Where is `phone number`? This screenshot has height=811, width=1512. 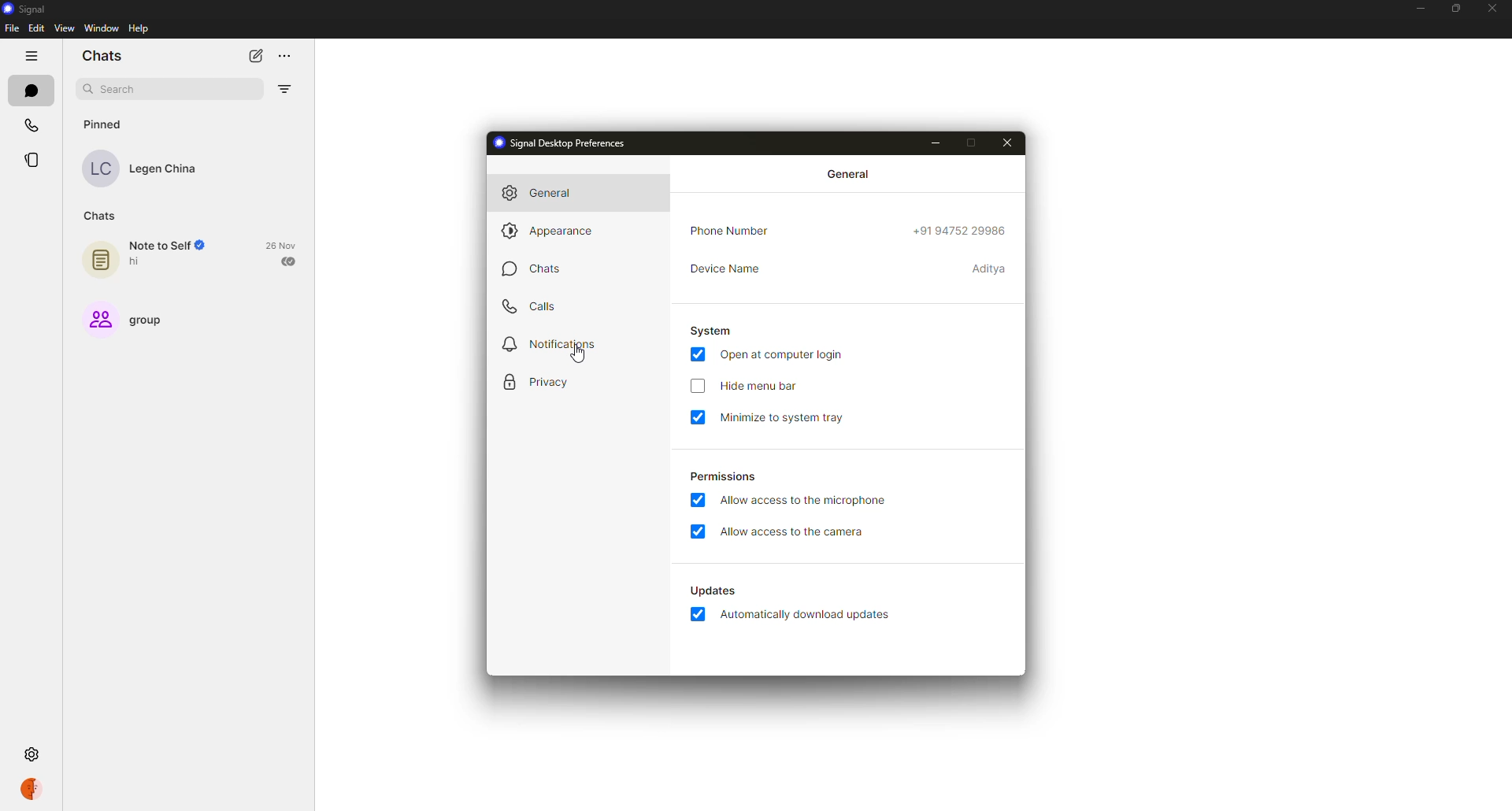
phone number is located at coordinates (728, 231).